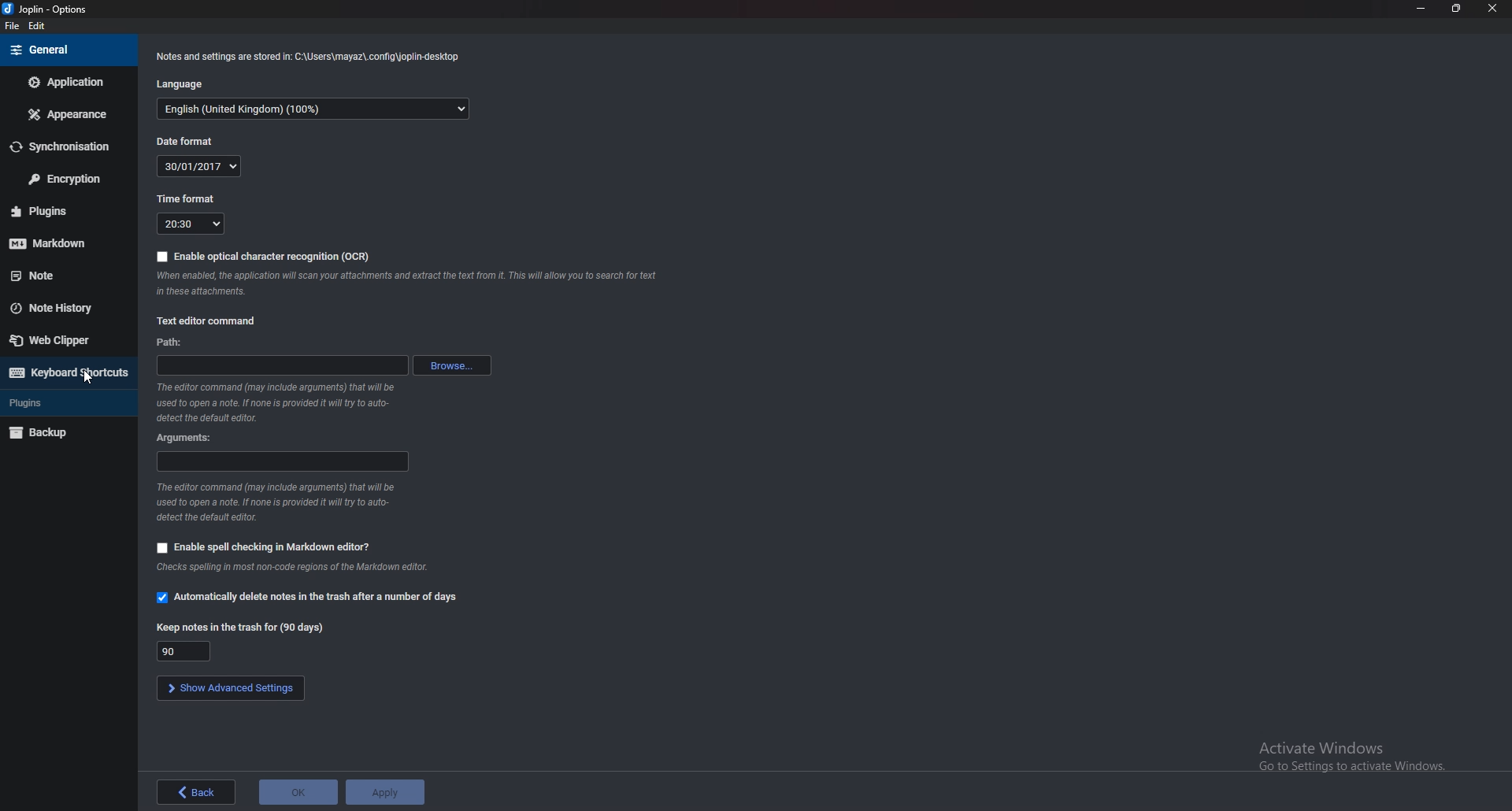 This screenshot has width=1512, height=811. What do you see at coordinates (65, 308) in the screenshot?
I see `Note history` at bounding box center [65, 308].